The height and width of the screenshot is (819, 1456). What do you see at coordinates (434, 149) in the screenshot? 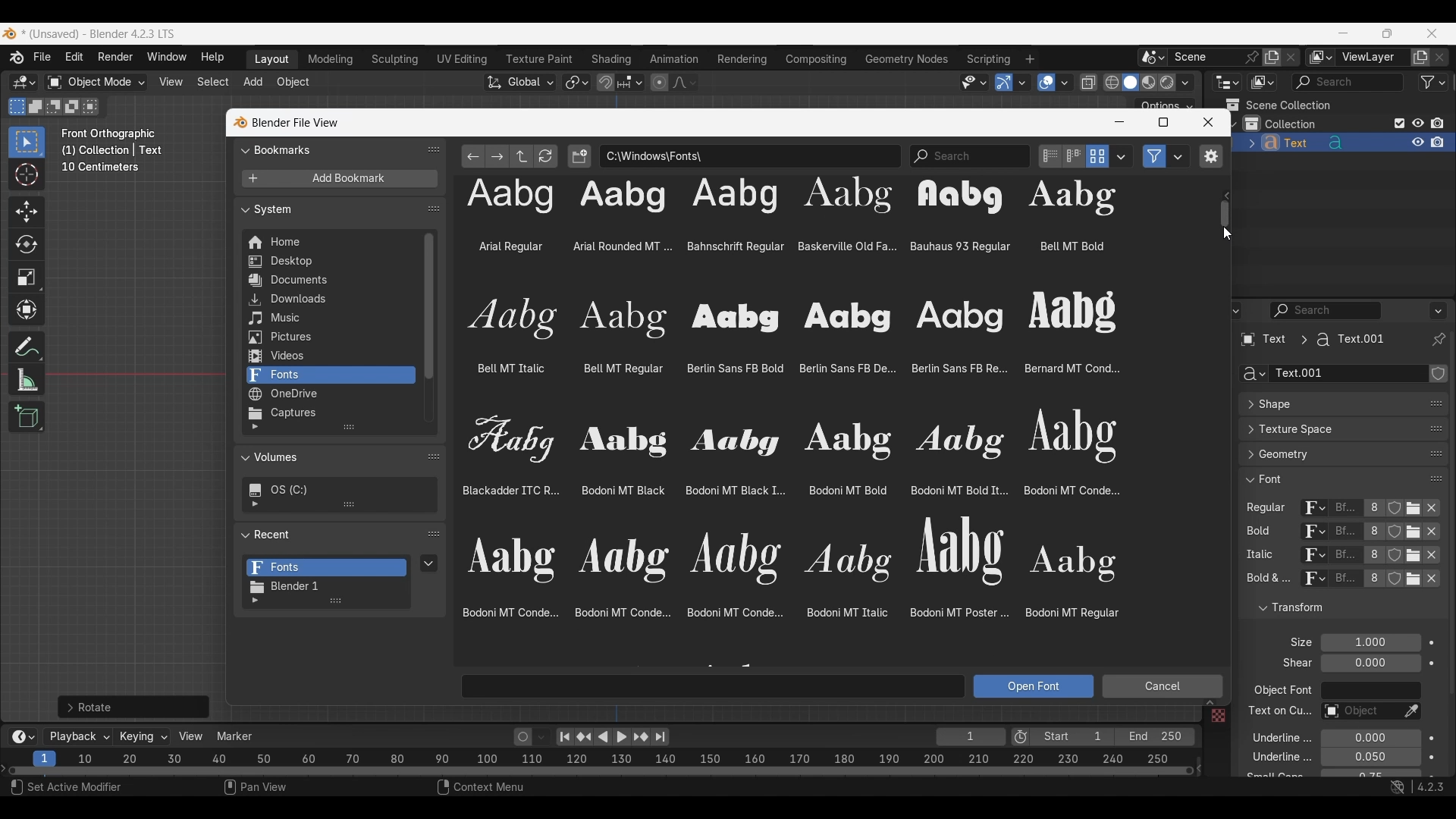
I see `Change order in list` at bounding box center [434, 149].